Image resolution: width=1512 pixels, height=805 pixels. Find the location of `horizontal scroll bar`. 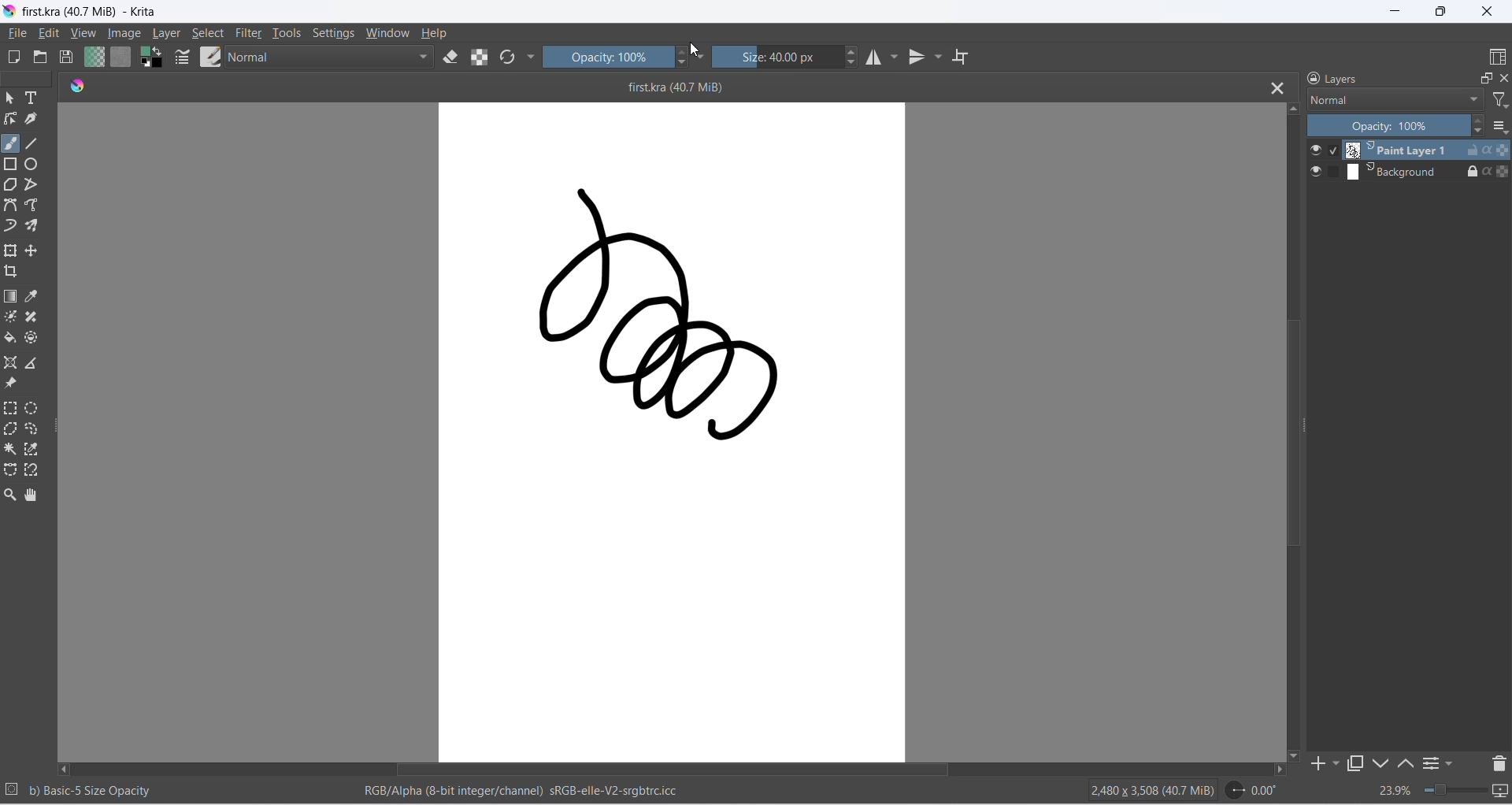

horizontal scroll bar is located at coordinates (654, 770).